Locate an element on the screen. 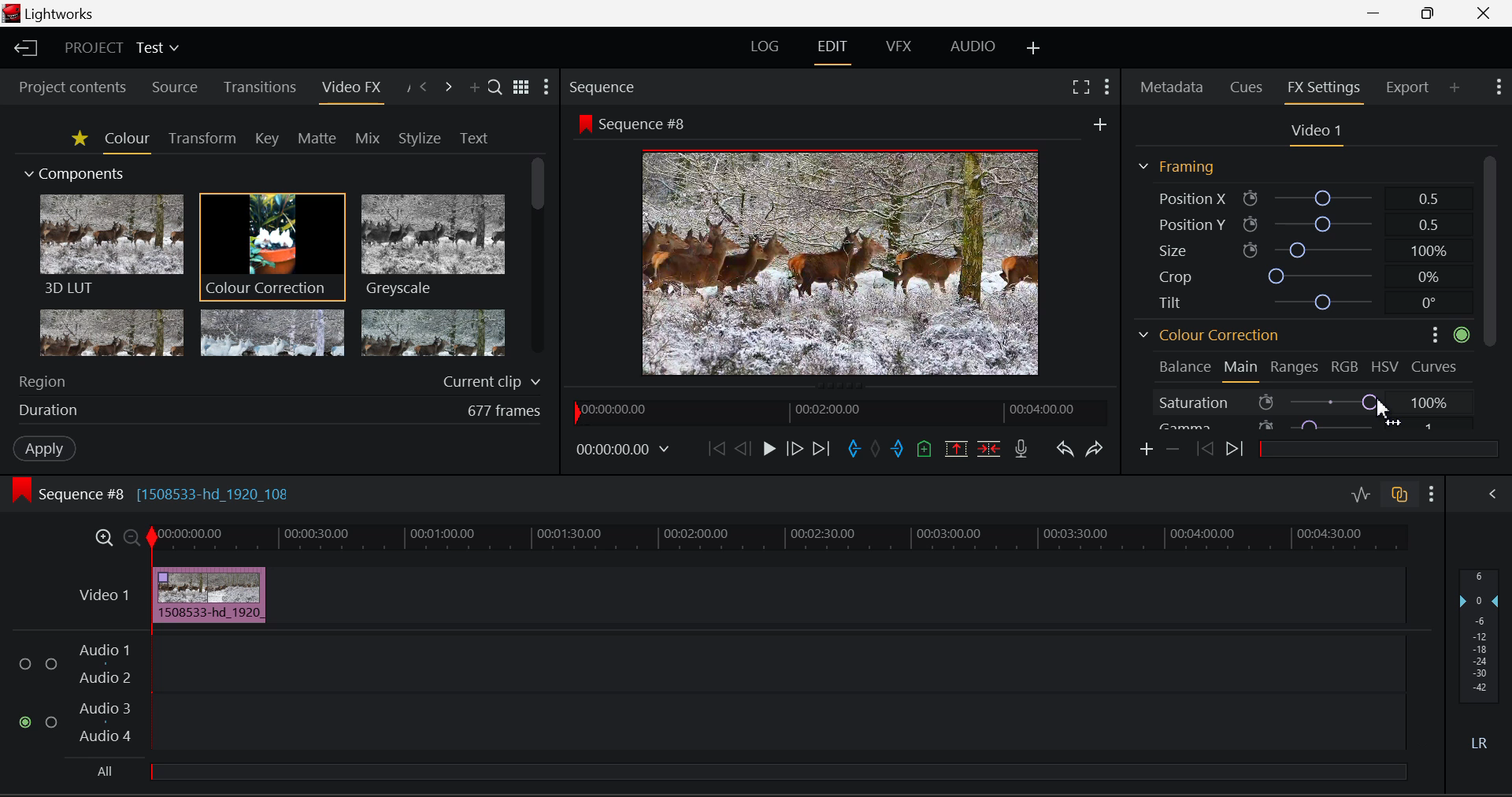 This screenshot has height=797, width=1512. Effect Applied is located at coordinates (212, 594).